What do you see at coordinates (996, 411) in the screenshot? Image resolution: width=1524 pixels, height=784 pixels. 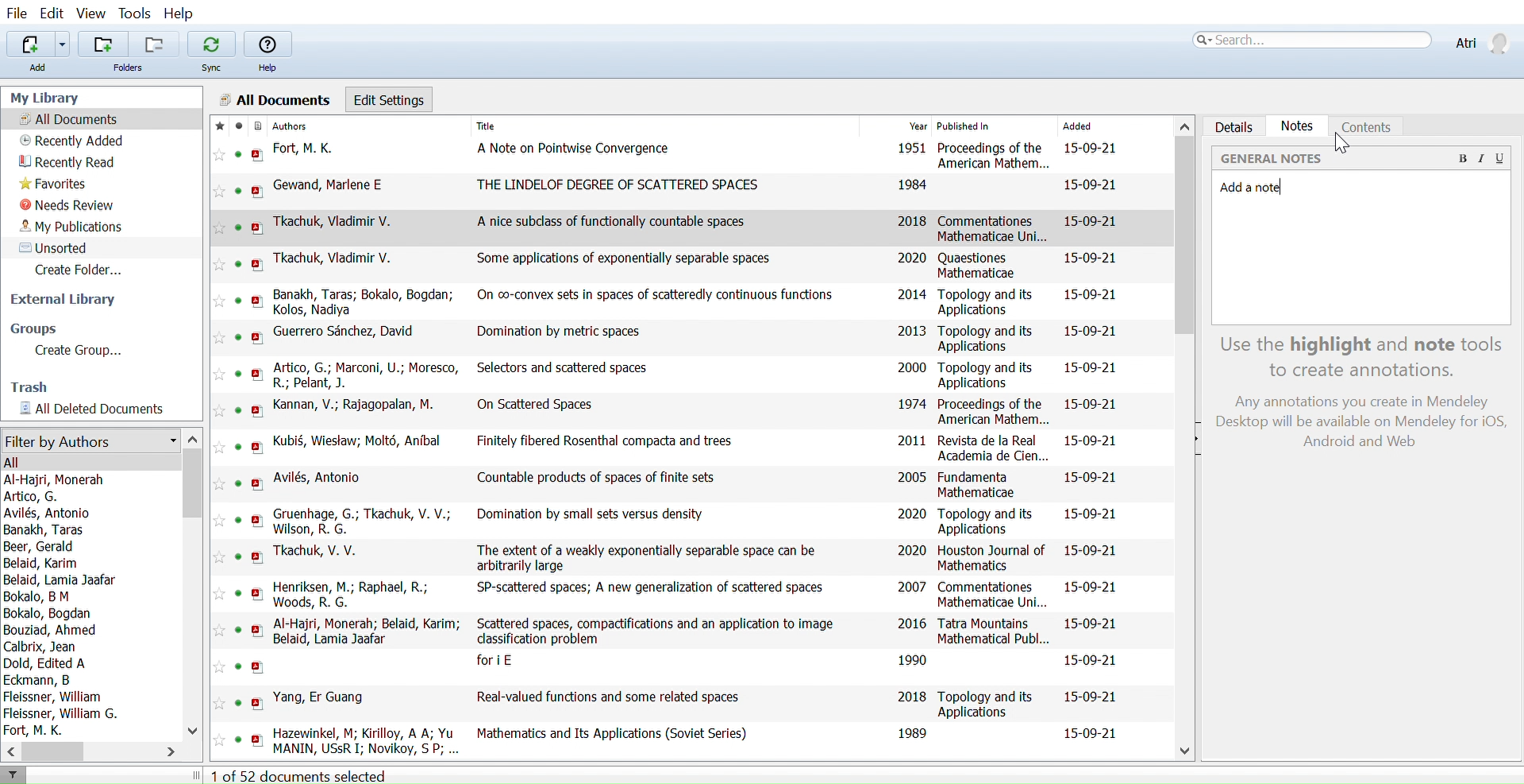 I see `Proceedings of the American Mathem...` at bounding box center [996, 411].